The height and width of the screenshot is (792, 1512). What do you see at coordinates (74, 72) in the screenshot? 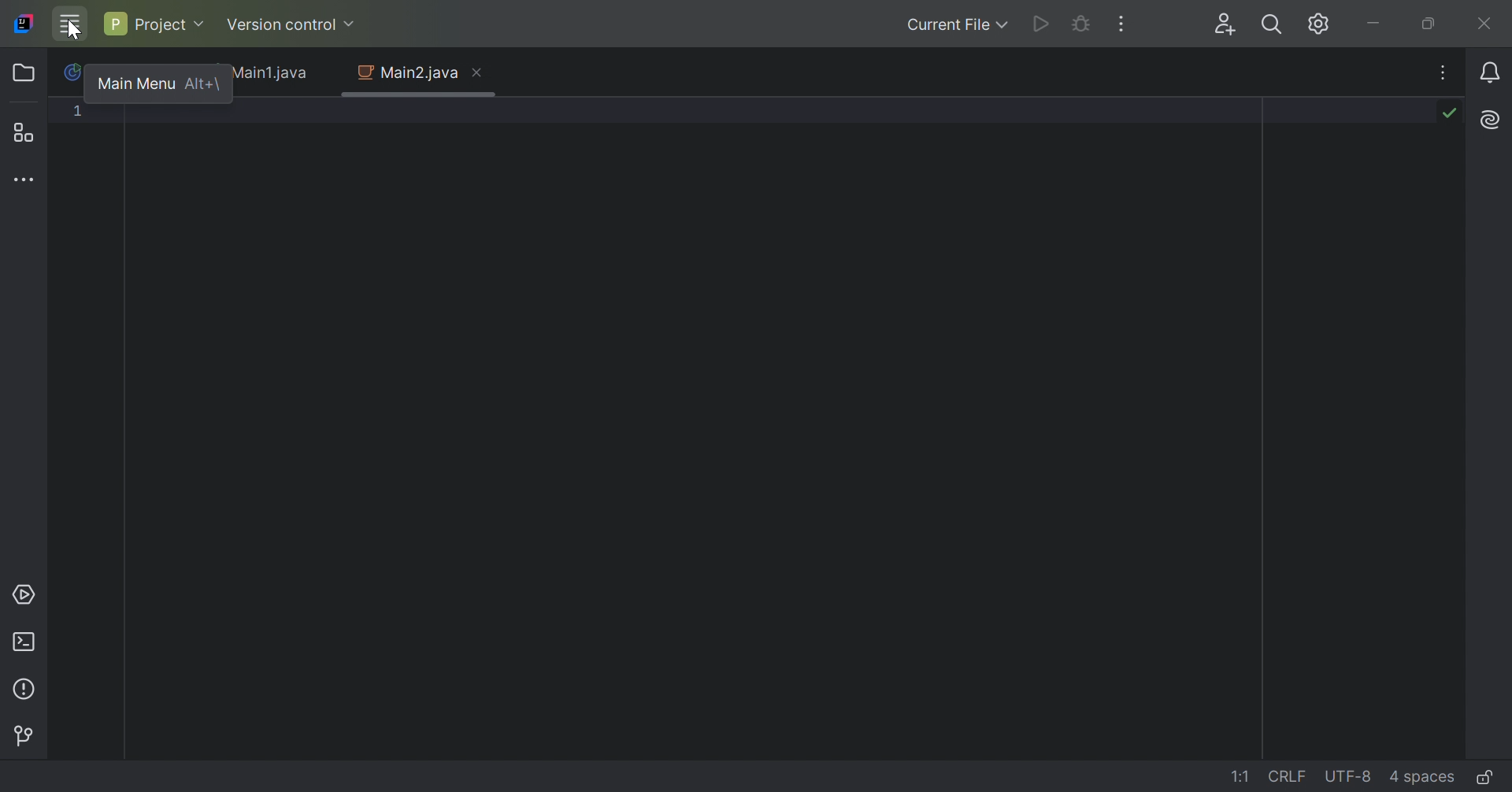
I see `Icon` at bounding box center [74, 72].